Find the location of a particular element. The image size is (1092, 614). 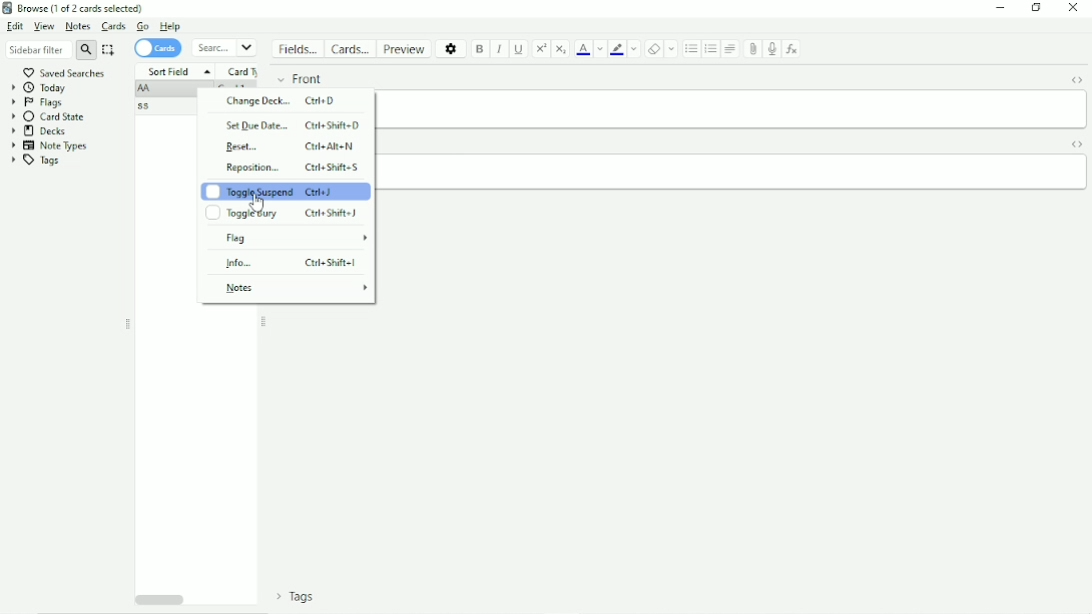

Reposition Ctrl + Shift + S is located at coordinates (291, 167).